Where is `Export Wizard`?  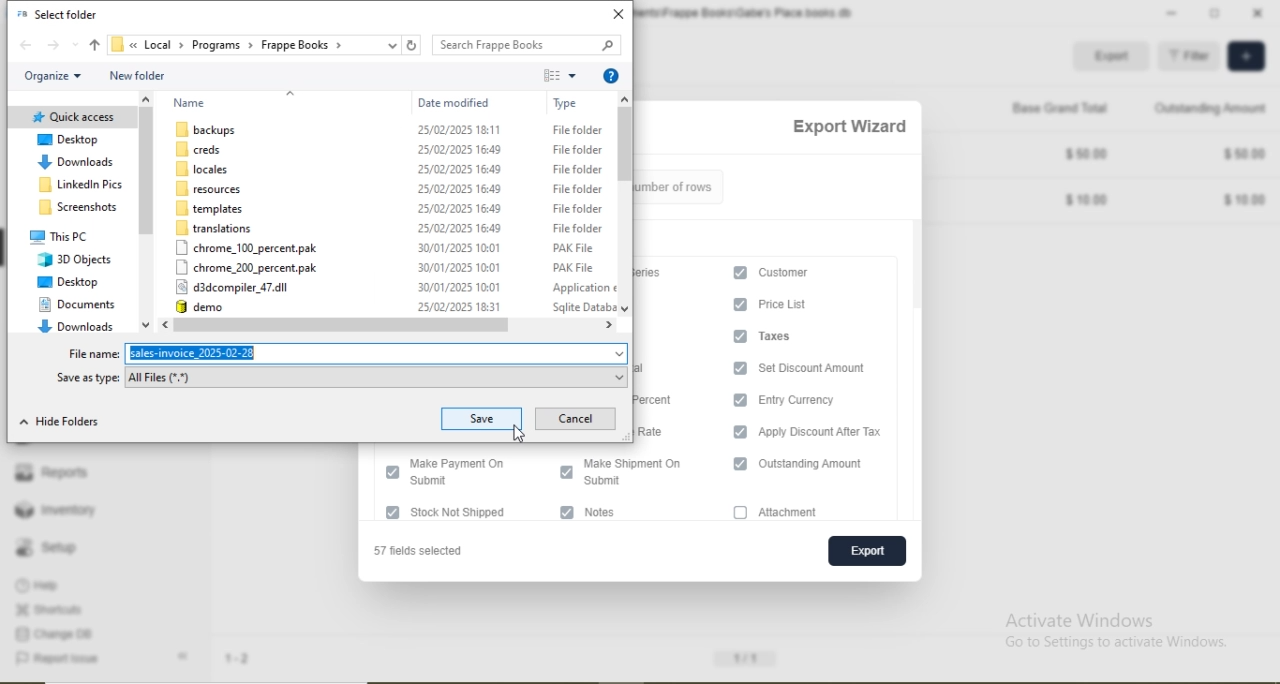
Export Wizard is located at coordinates (849, 127).